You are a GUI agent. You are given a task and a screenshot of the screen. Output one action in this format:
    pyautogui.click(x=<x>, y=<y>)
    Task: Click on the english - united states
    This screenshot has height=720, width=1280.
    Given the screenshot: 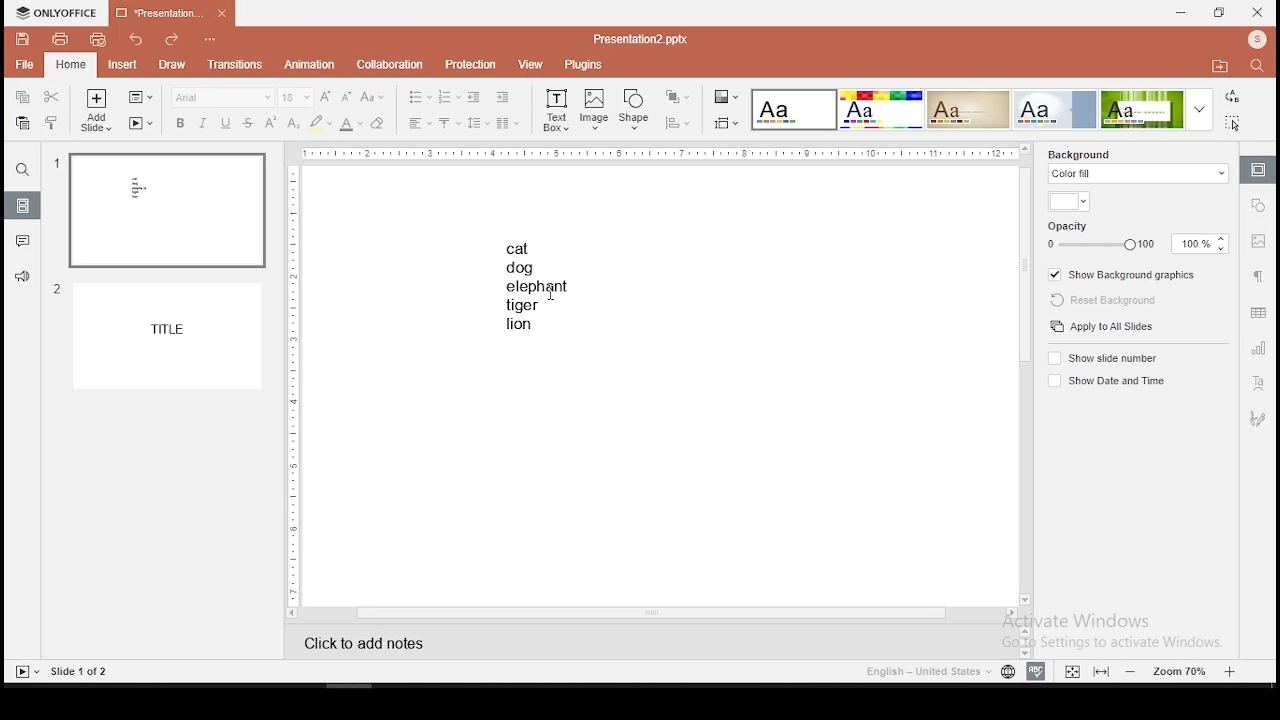 What is the action you would take?
    pyautogui.click(x=921, y=671)
    